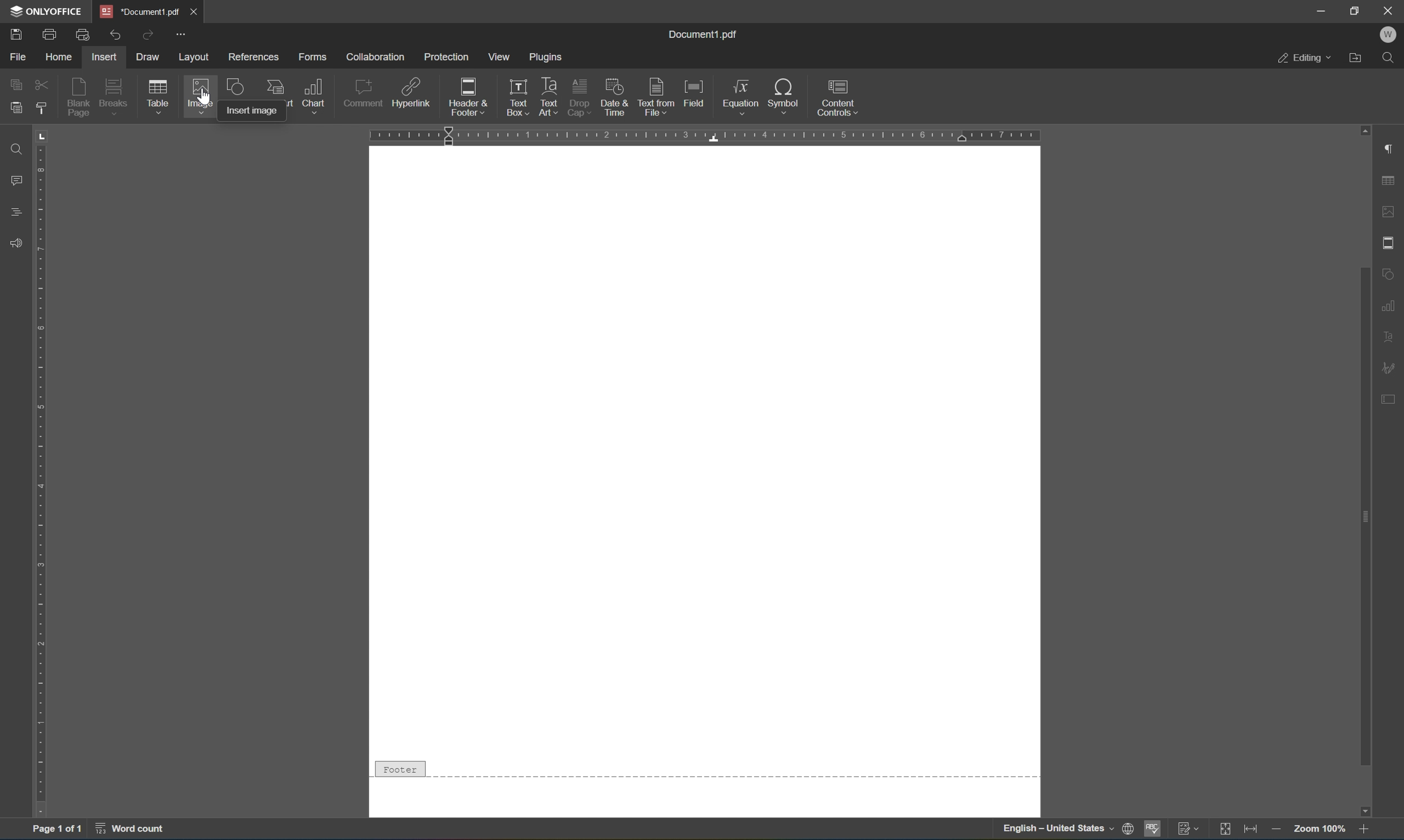  Describe the element at coordinates (616, 97) in the screenshot. I see `date and time` at that location.